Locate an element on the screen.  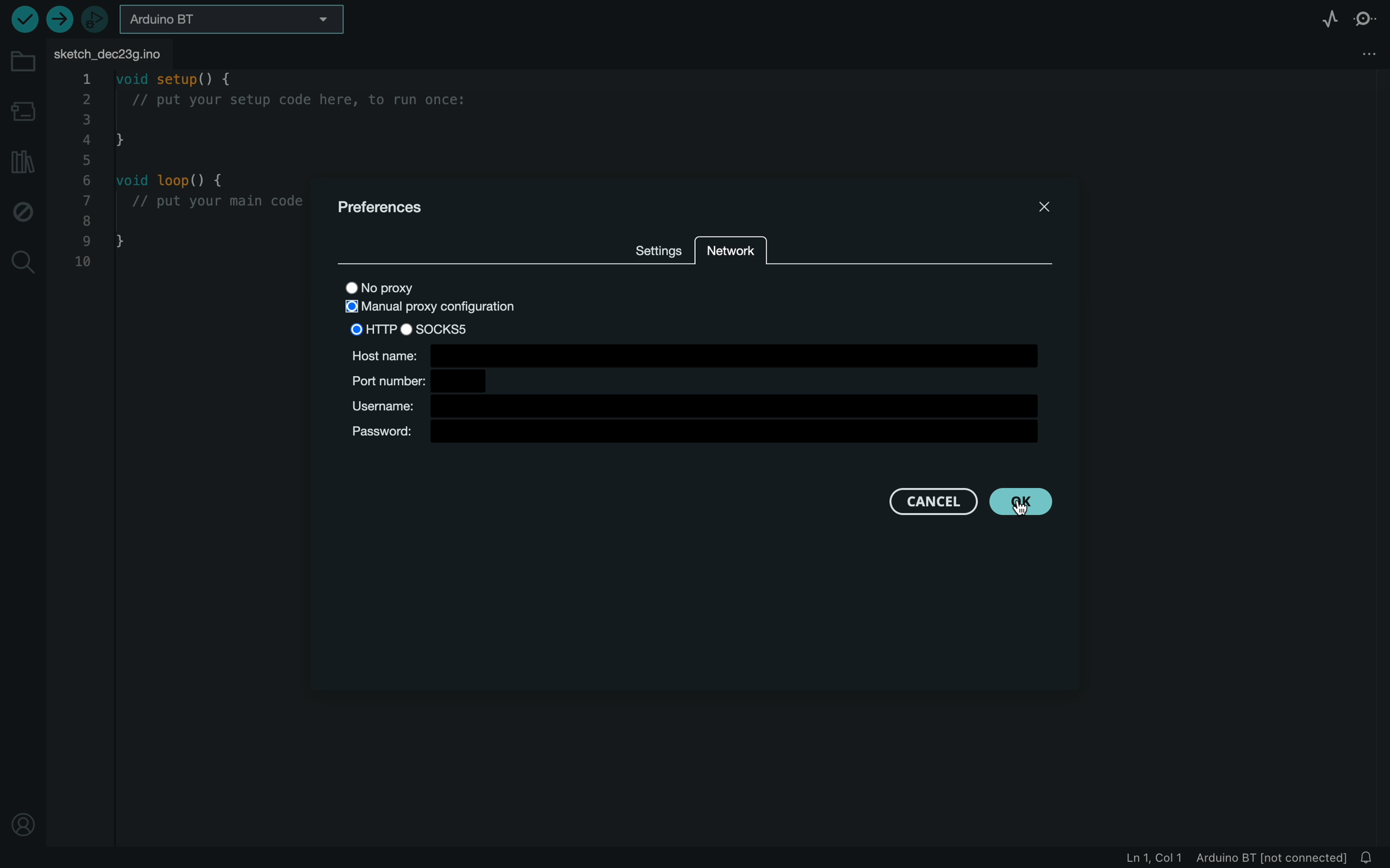
serial monitor is located at coordinates (1366, 18).